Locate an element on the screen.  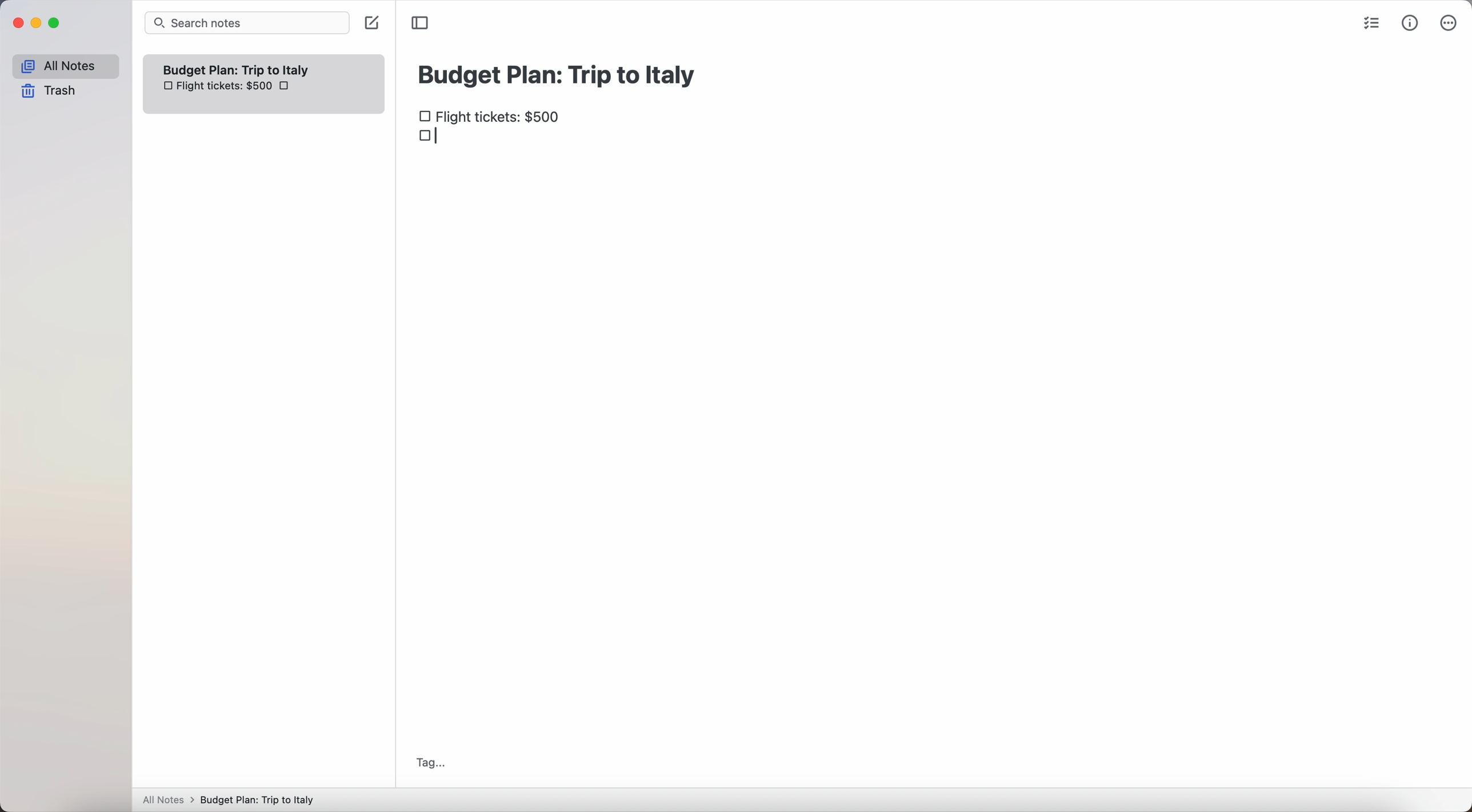
minimize is located at coordinates (39, 23).